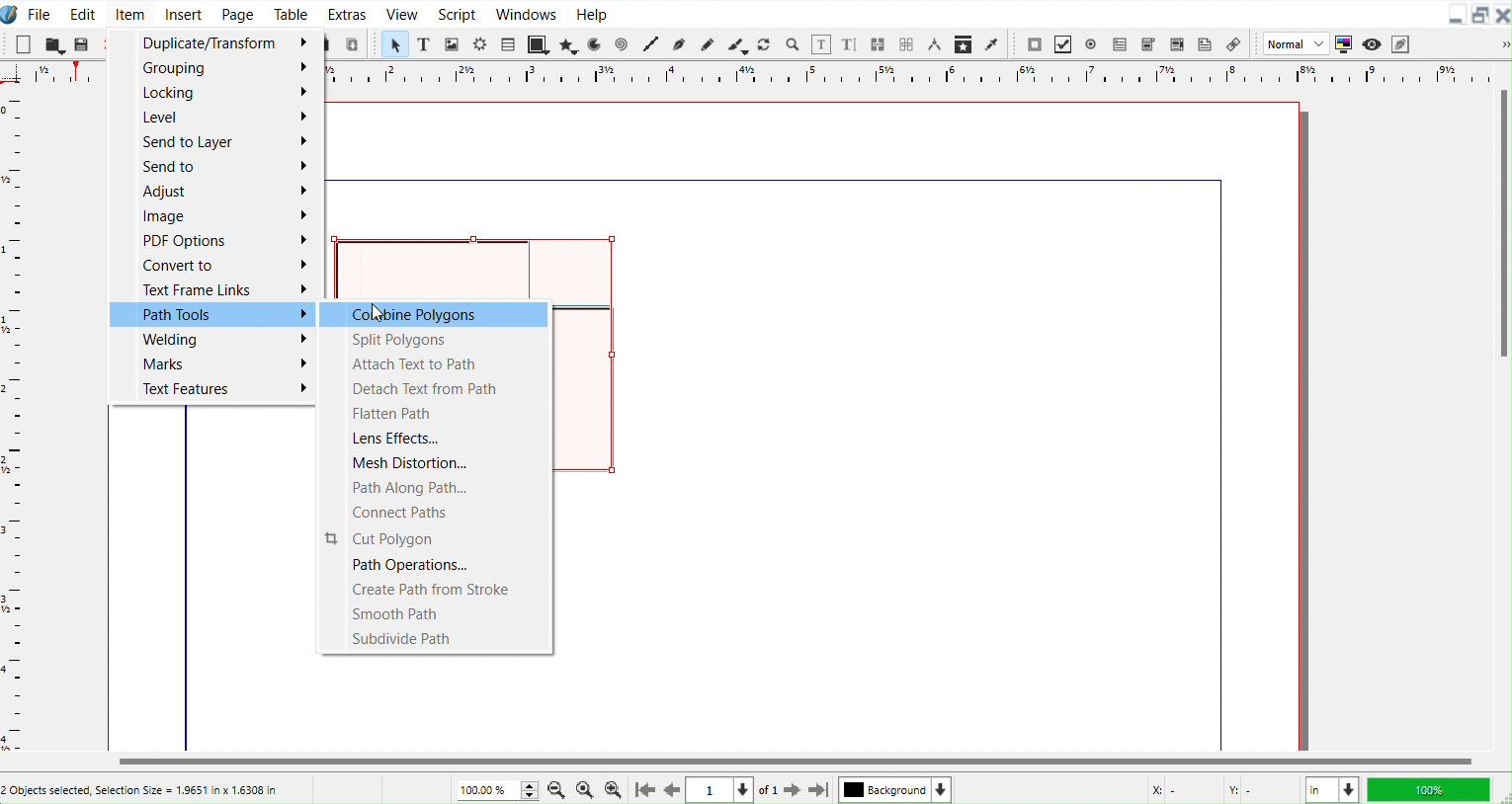 This screenshot has width=1512, height=804. Describe the element at coordinates (775, 179) in the screenshot. I see `line` at that location.